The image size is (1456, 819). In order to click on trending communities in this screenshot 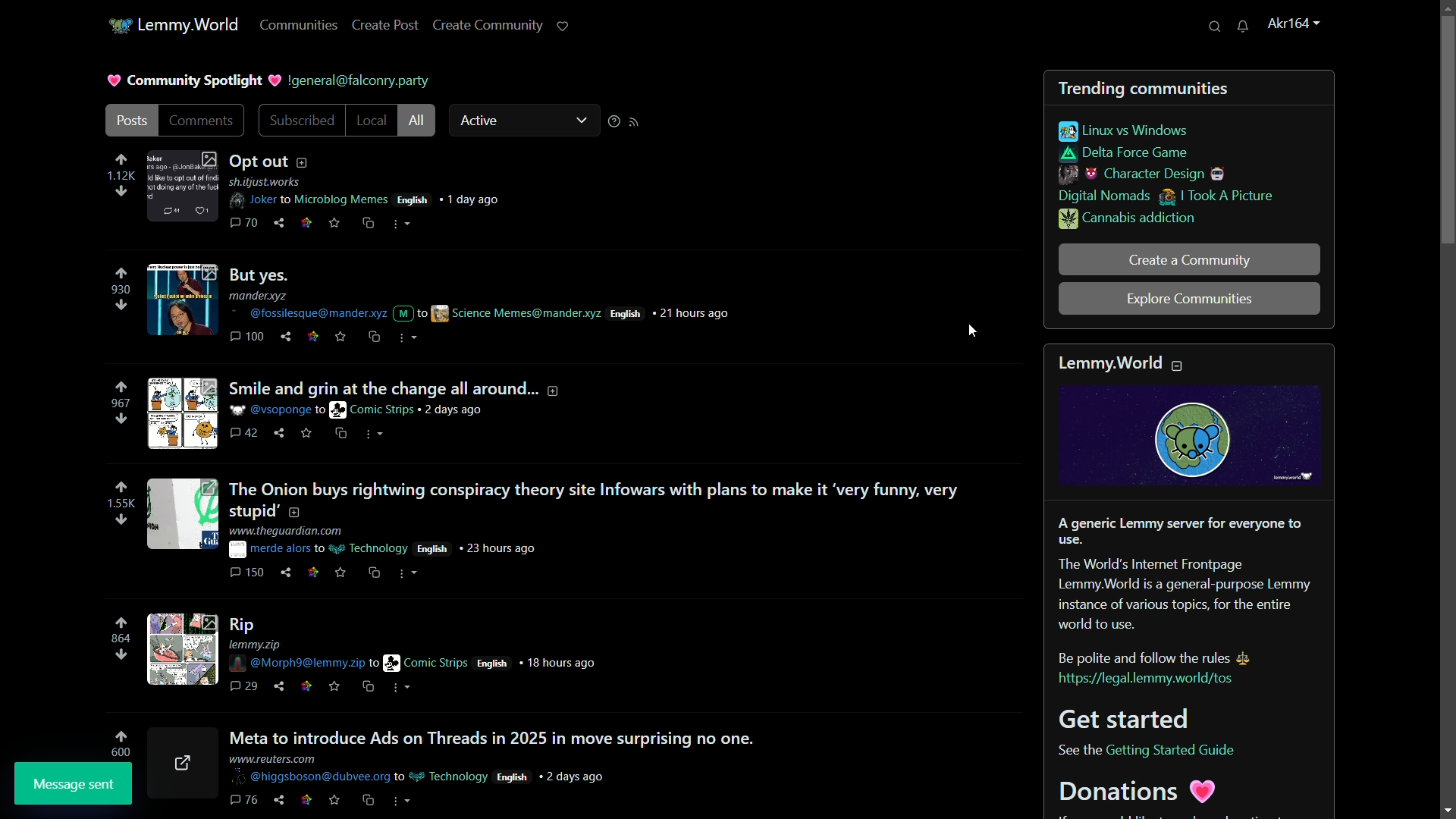, I will do `click(1144, 90)`.